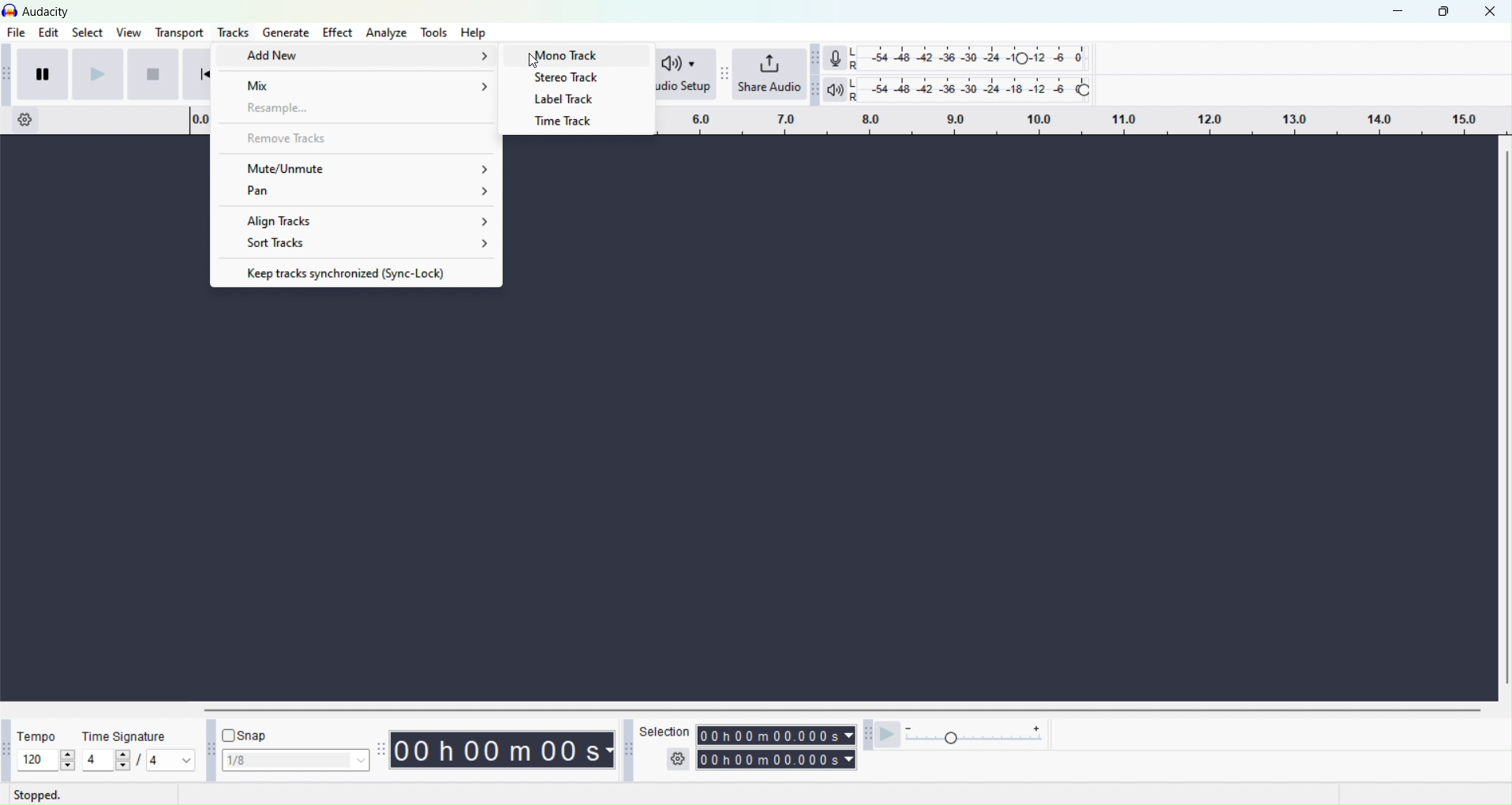 Image resolution: width=1512 pixels, height=805 pixels. I want to click on increase tempo, so click(68, 754).